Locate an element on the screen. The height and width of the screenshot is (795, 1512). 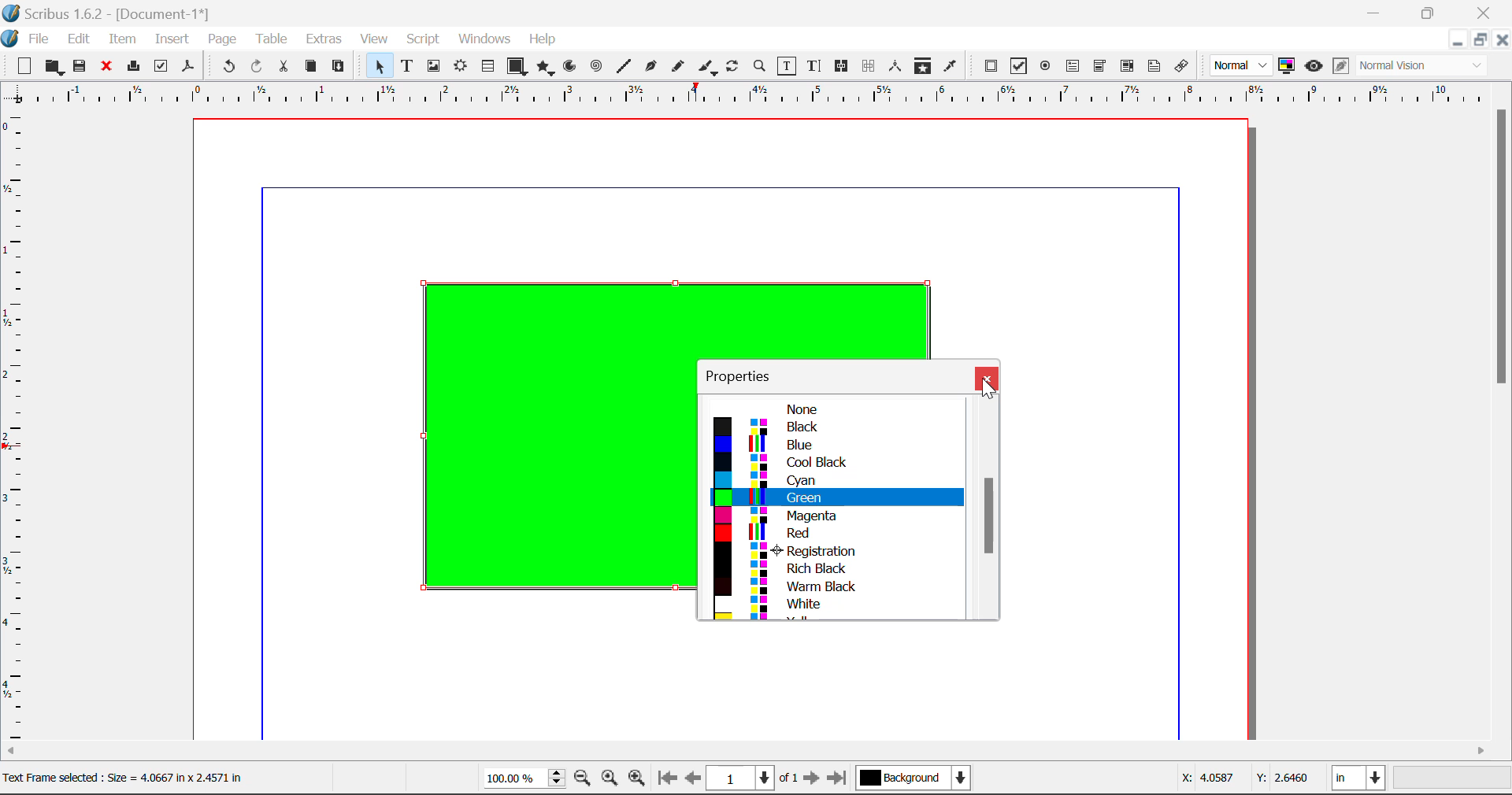
Minimize is located at coordinates (1480, 39).